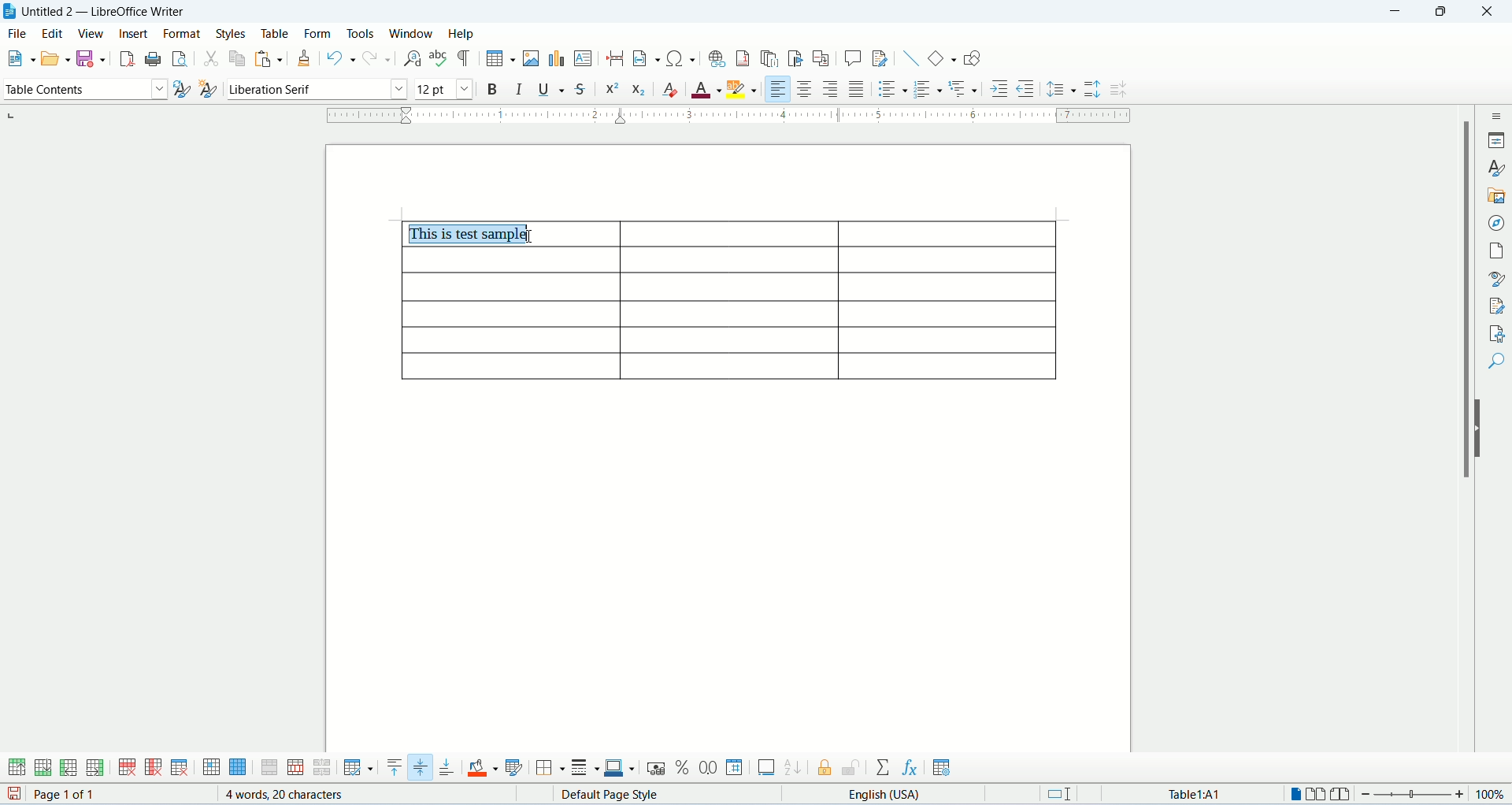 This screenshot has height=805, width=1512. Describe the element at coordinates (11, 795) in the screenshot. I see `save` at that location.